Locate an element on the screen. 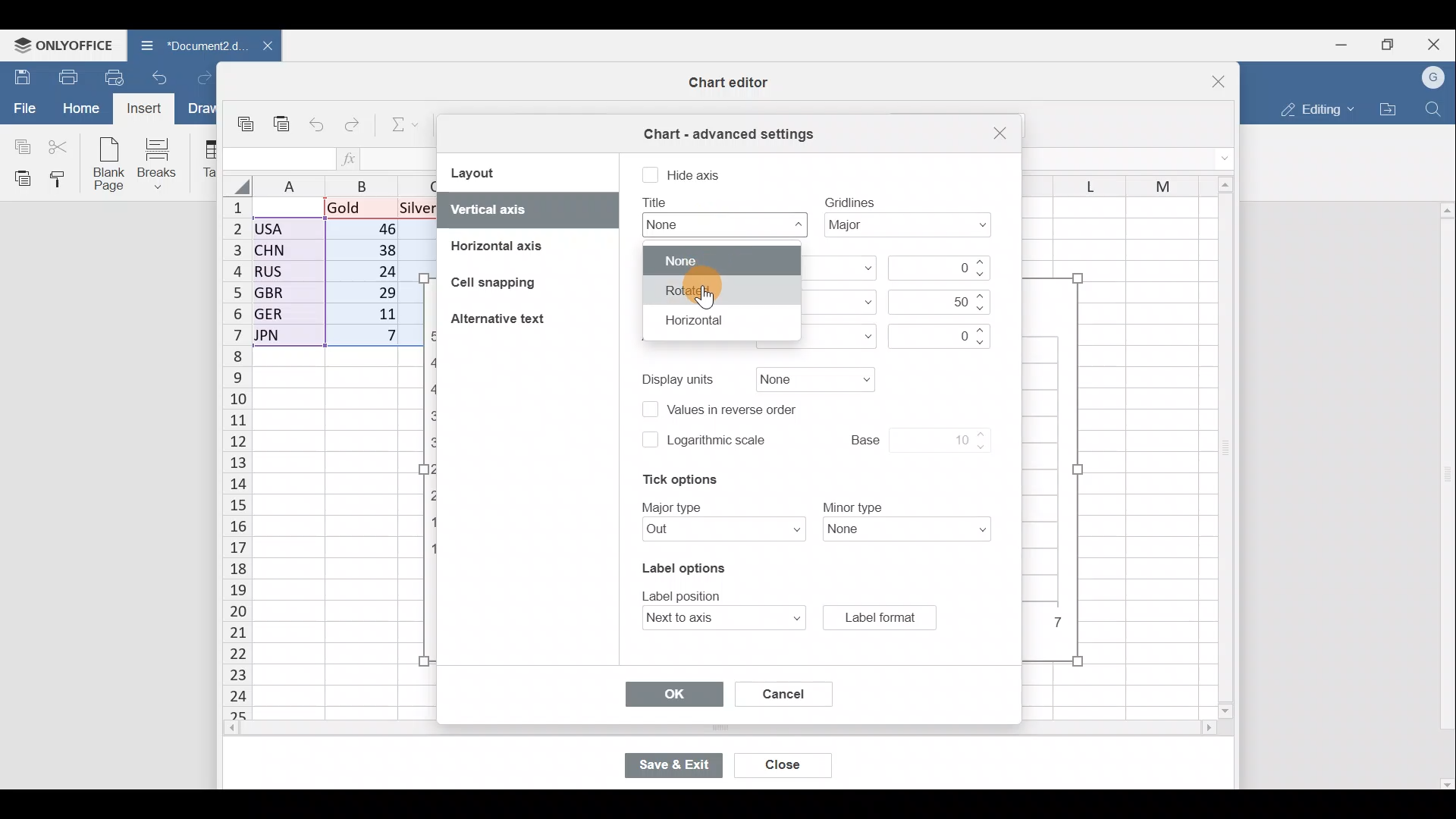 The width and height of the screenshot is (1456, 819). Scroll bar is located at coordinates (688, 730).